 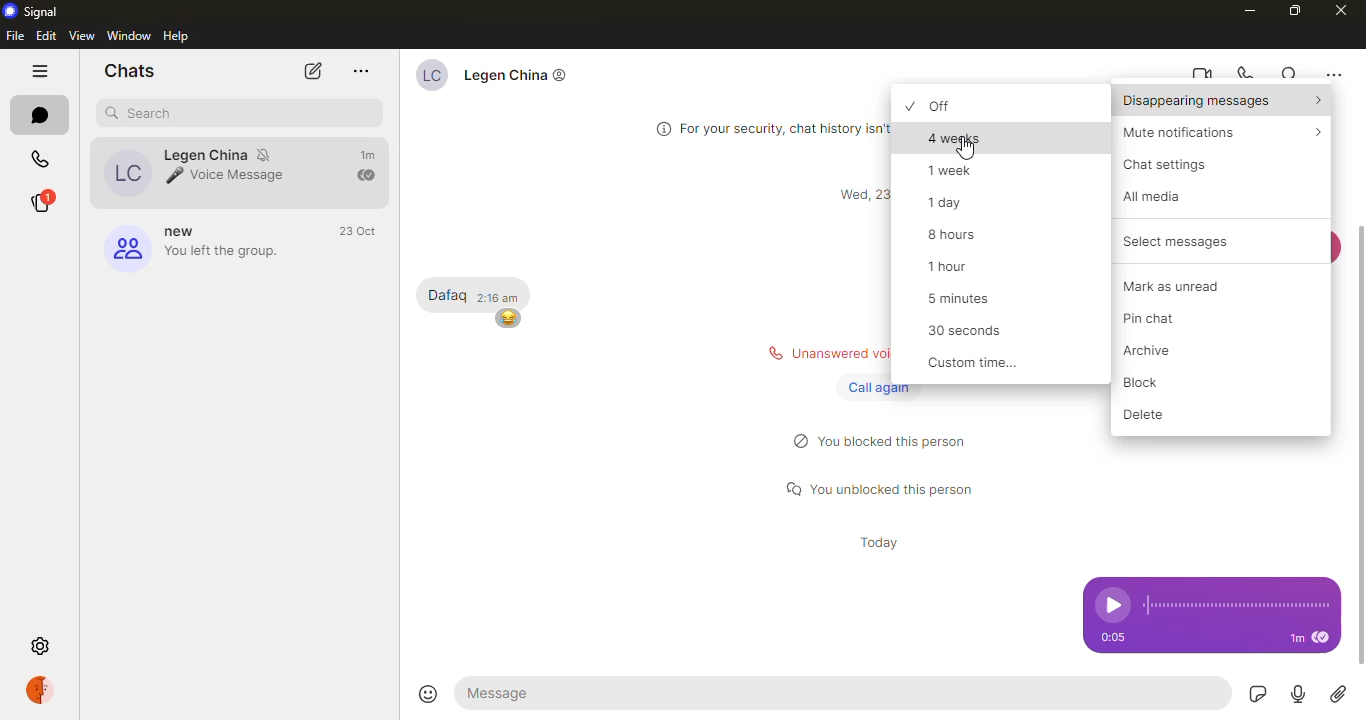 What do you see at coordinates (1111, 637) in the screenshot?
I see `time` at bounding box center [1111, 637].